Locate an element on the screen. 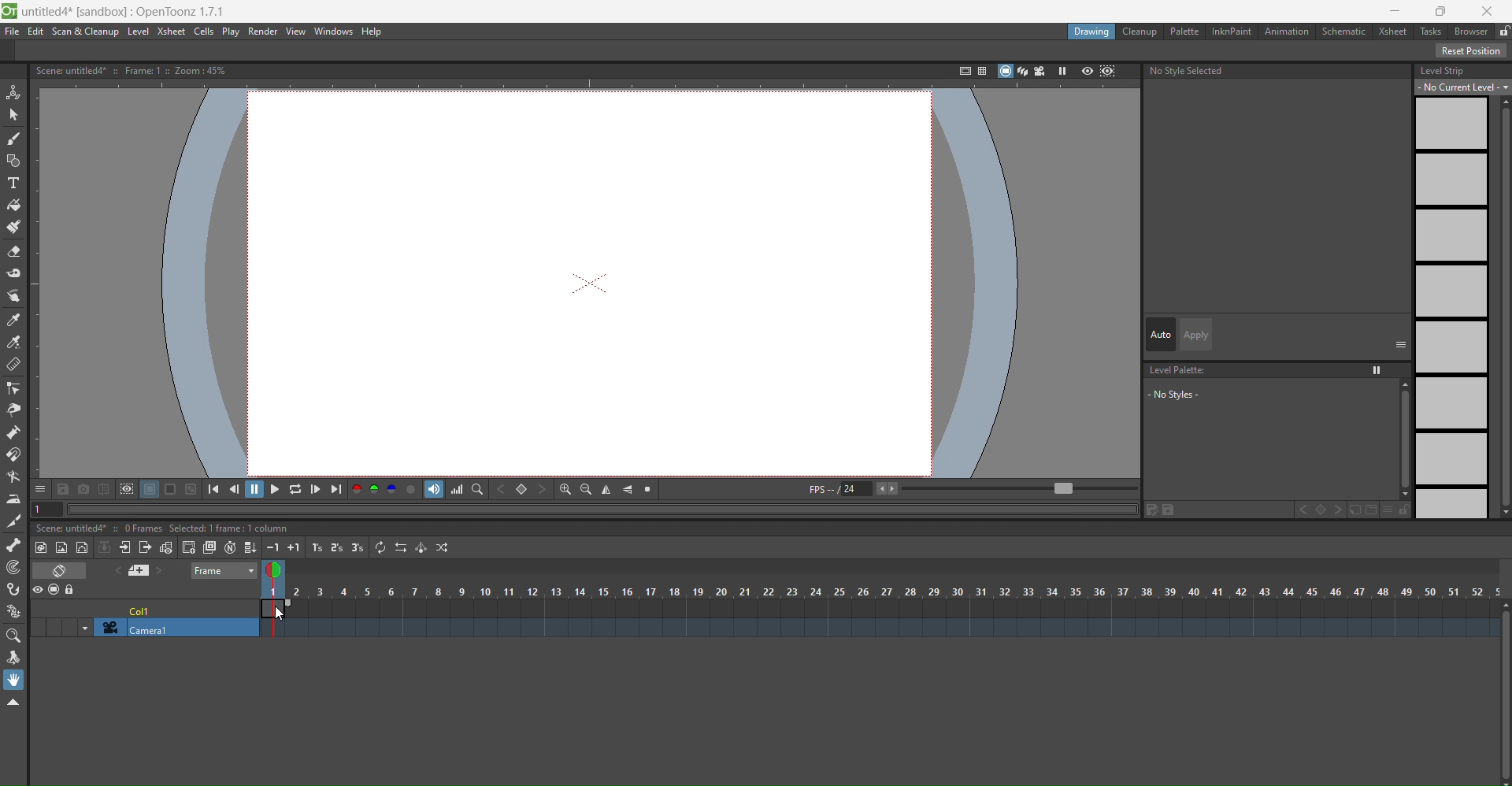 The height and width of the screenshot is (786, 1512). tool is located at coordinates (126, 489).